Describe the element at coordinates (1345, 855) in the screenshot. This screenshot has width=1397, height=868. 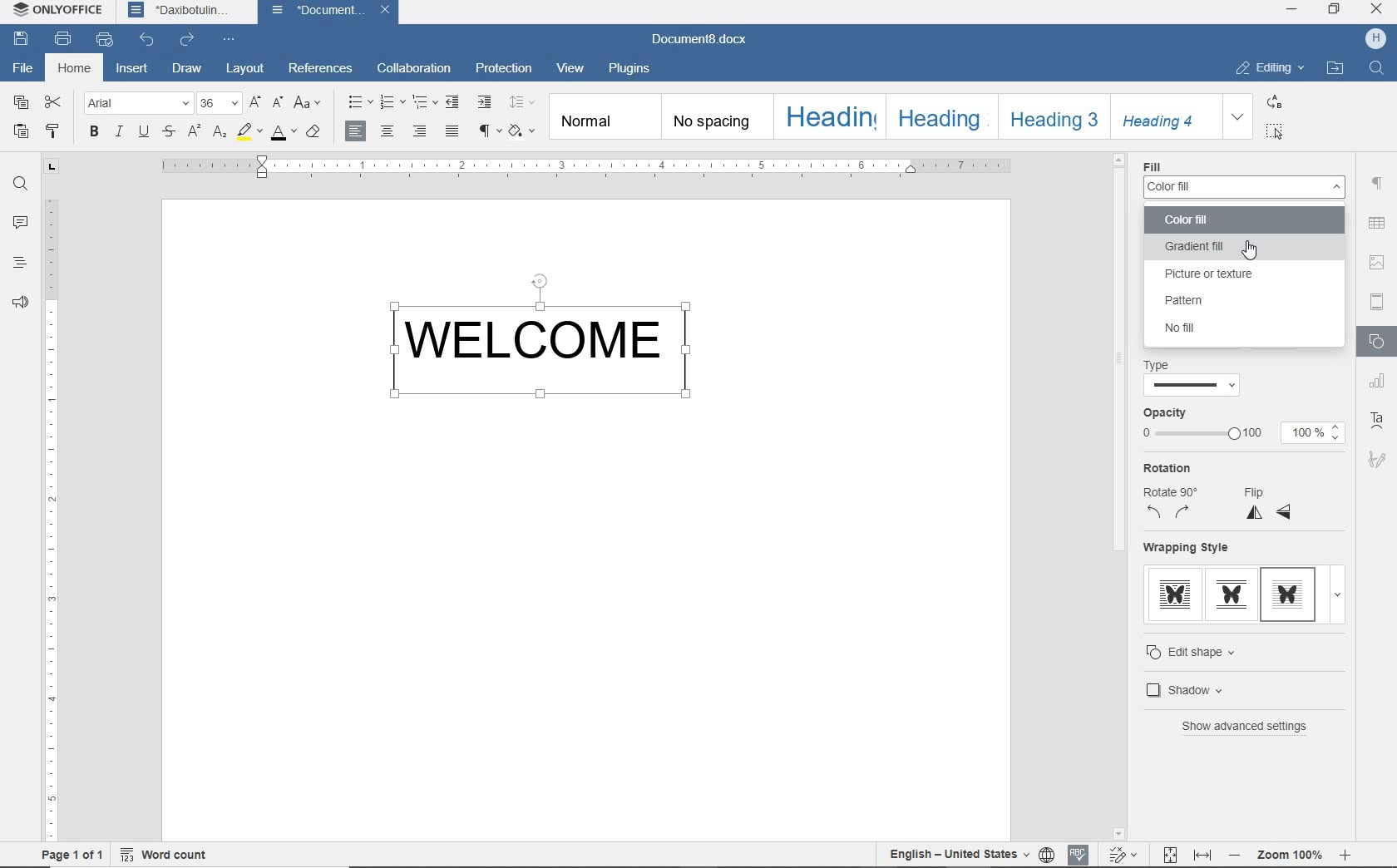
I see `Zoom in` at that location.